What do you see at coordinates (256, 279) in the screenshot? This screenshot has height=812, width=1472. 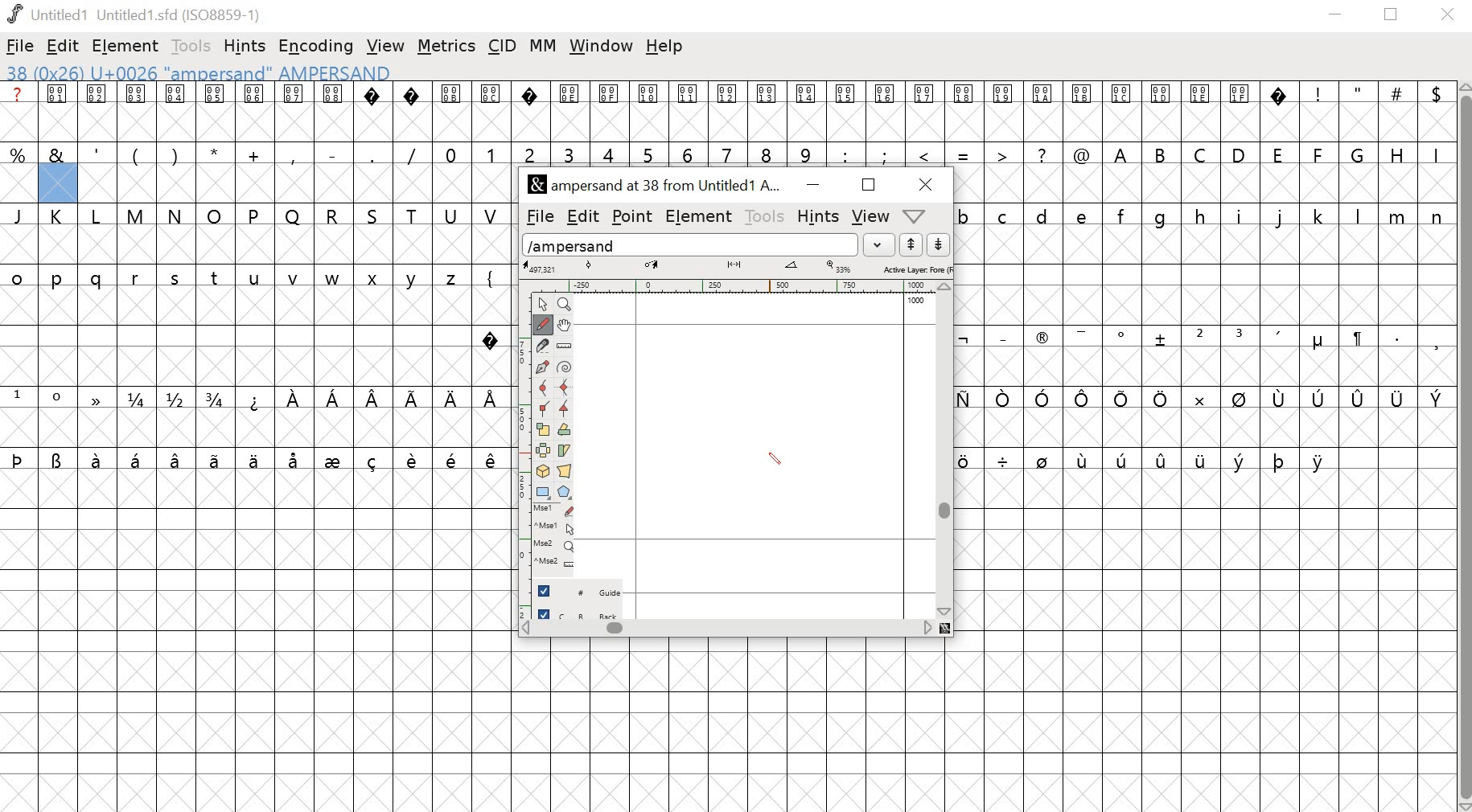 I see `u` at bounding box center [256, 279].